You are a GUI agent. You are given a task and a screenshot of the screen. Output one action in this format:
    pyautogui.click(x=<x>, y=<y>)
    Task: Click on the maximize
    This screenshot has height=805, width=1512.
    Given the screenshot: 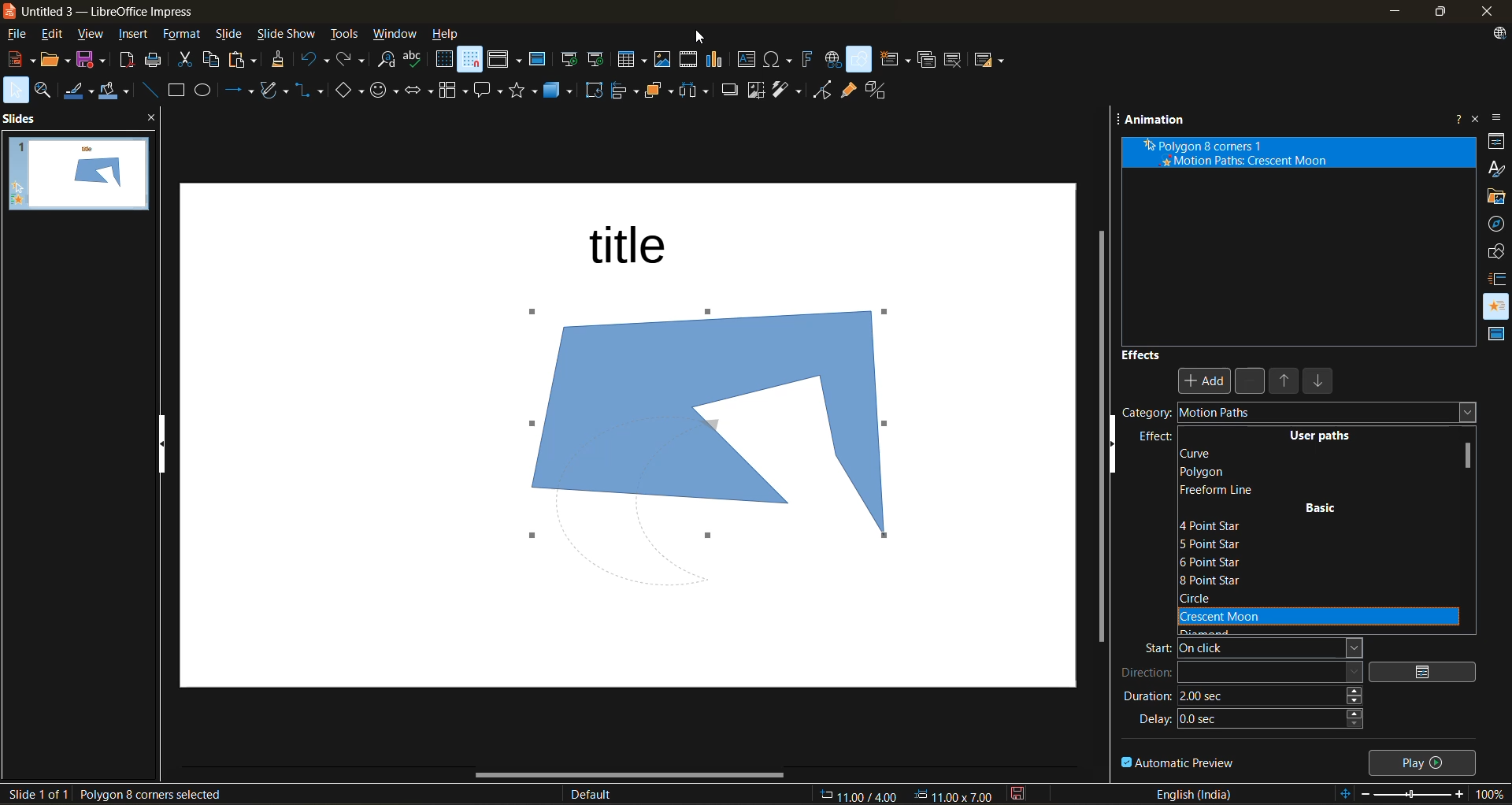 What is the action you would take?
    pyautogui.click(x=1435, y=13)
    